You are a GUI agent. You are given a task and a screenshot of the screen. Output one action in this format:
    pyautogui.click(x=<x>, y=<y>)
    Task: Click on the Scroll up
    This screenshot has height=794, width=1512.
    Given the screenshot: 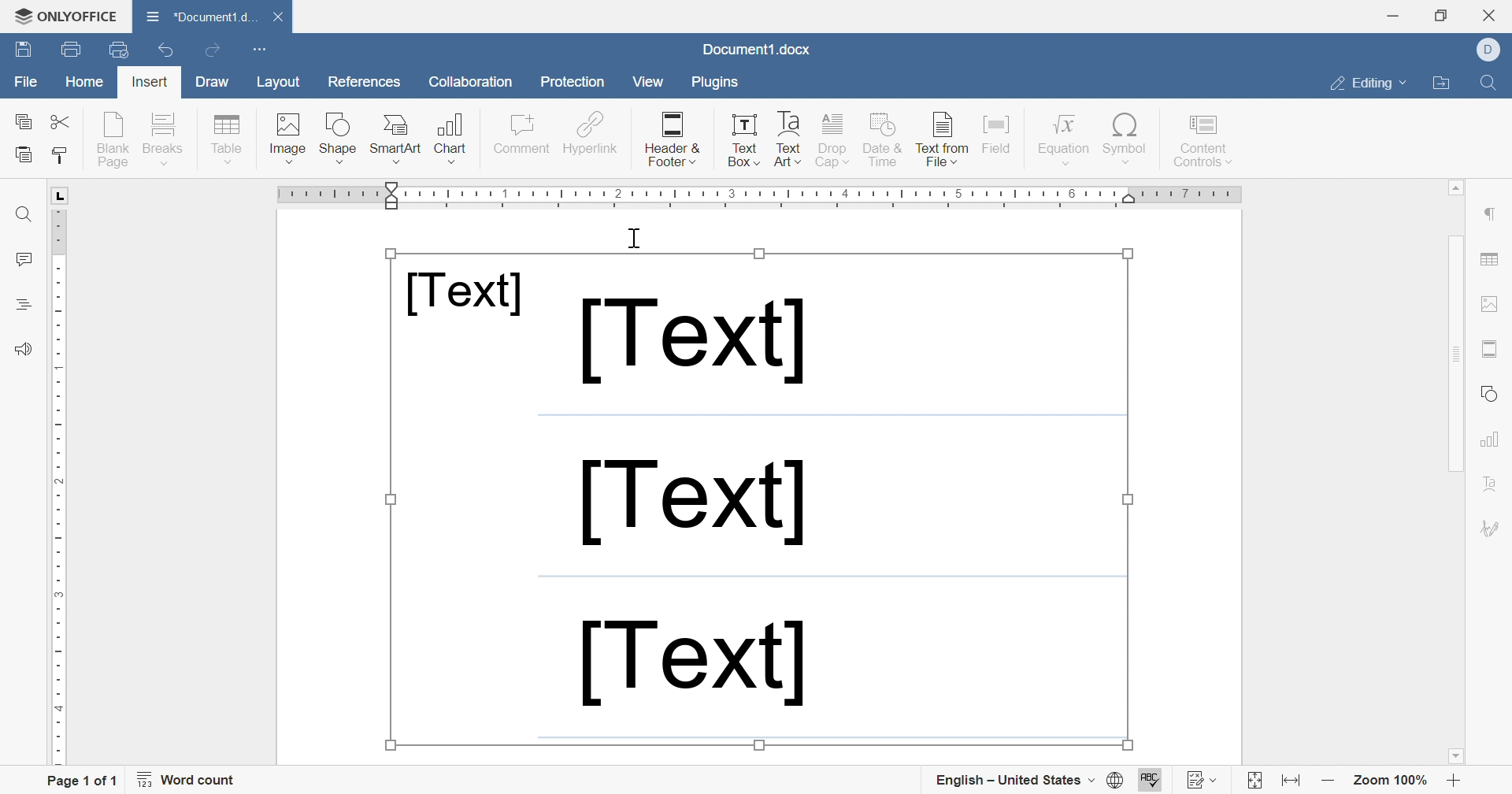 What is the action you would take?
    pyautogui.click(x=1458, y=185)
    